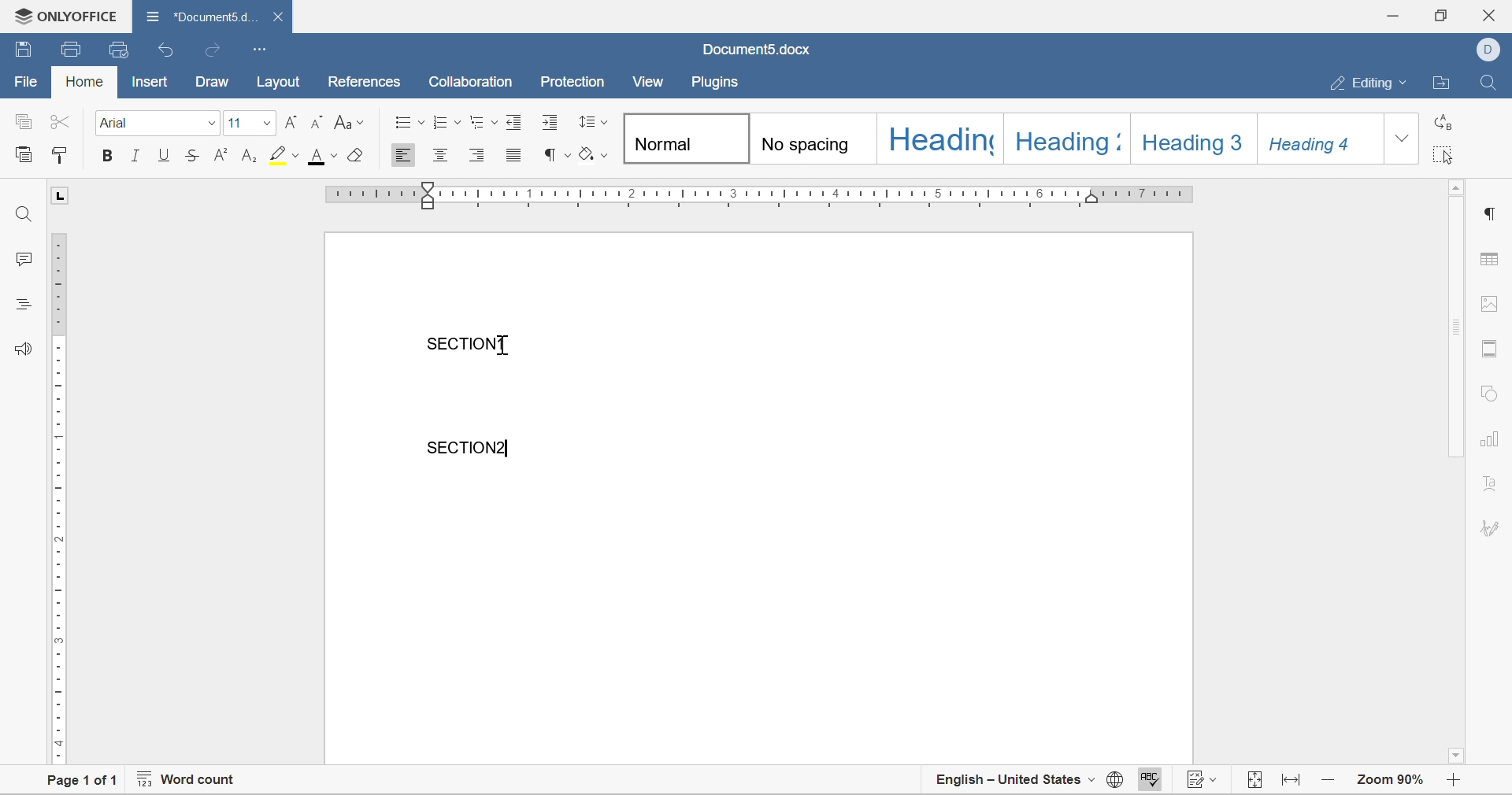 The height and width of the screenshot is (795, 1512). What do you see at coordinates (473, 82) in the screenshot?
I see `collaboration` at bounding box center [473, 82].